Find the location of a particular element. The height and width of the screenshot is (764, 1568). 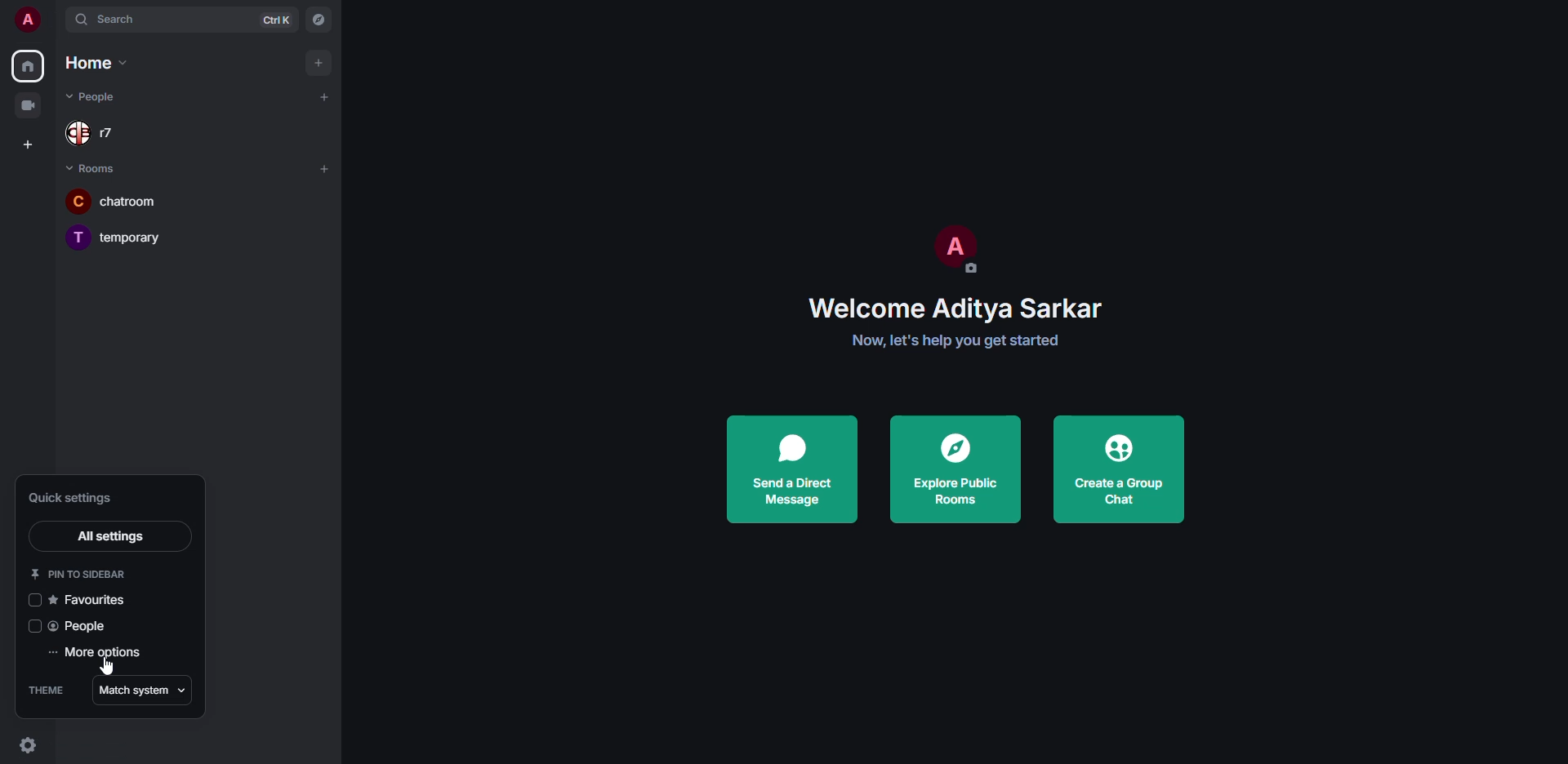

profile pic is located at coordinates (951, 247).